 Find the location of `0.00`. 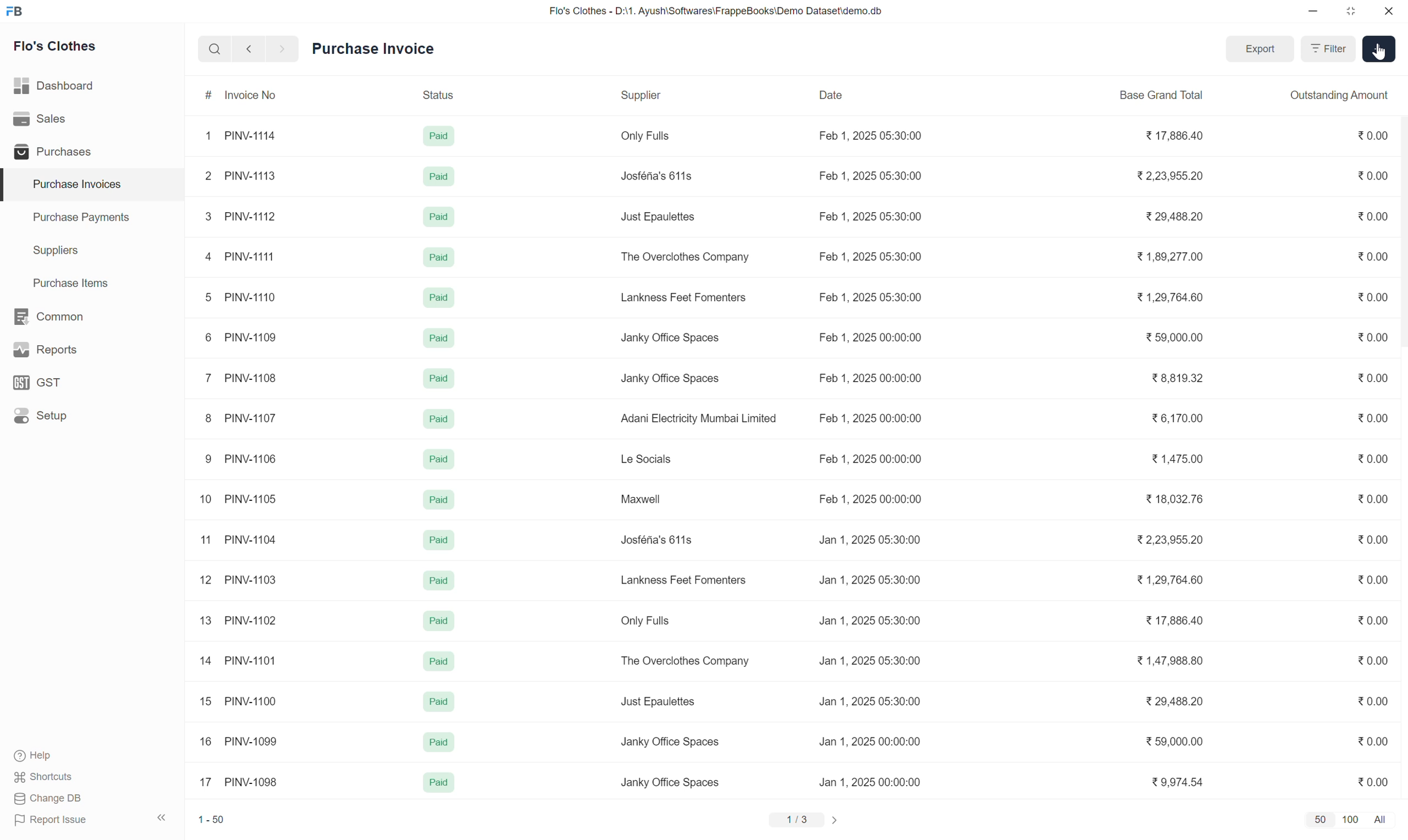

0.00 is located at coordinates (1372, 377).